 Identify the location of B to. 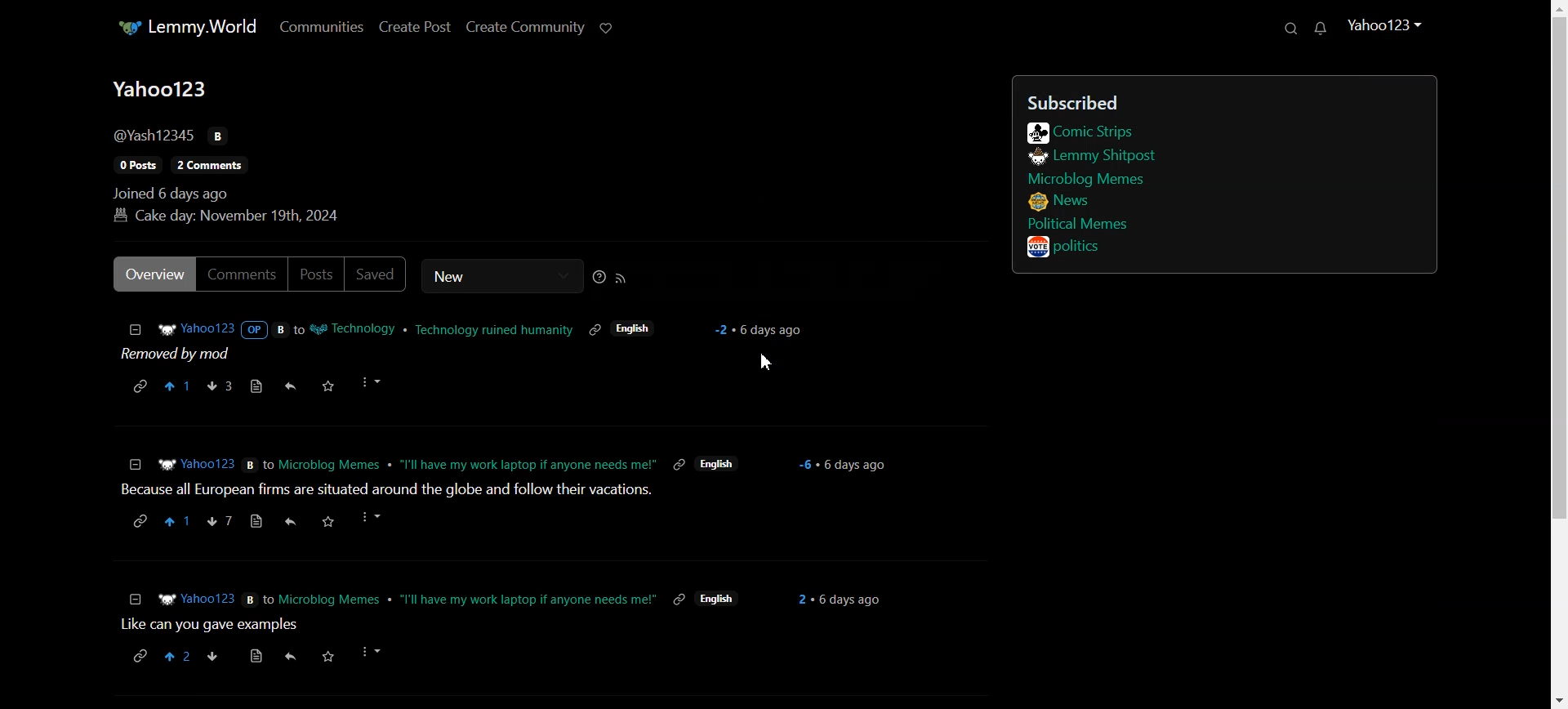
(259, 463).